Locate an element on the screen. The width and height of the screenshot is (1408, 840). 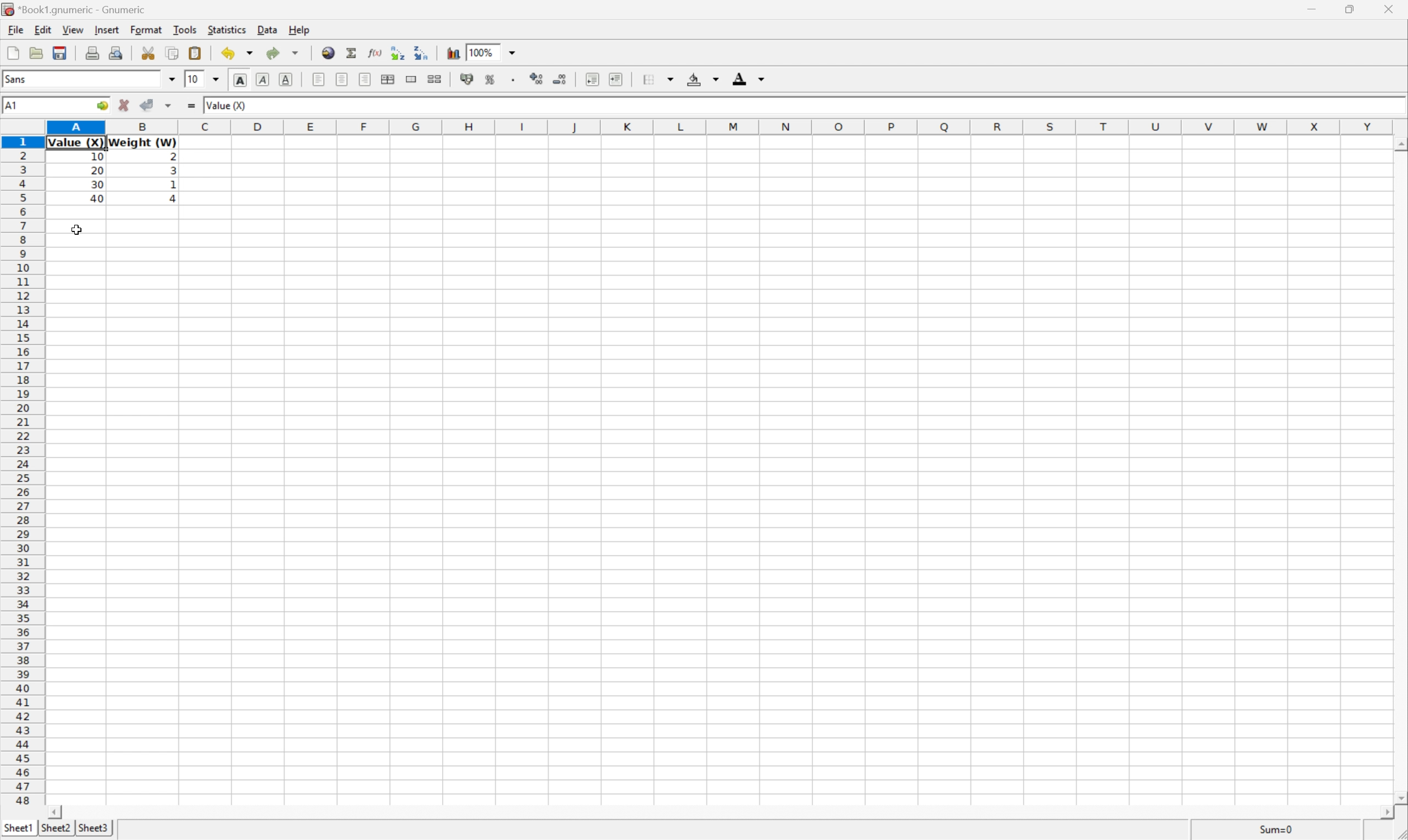
Drop Down is located at coordinates (172, 79).